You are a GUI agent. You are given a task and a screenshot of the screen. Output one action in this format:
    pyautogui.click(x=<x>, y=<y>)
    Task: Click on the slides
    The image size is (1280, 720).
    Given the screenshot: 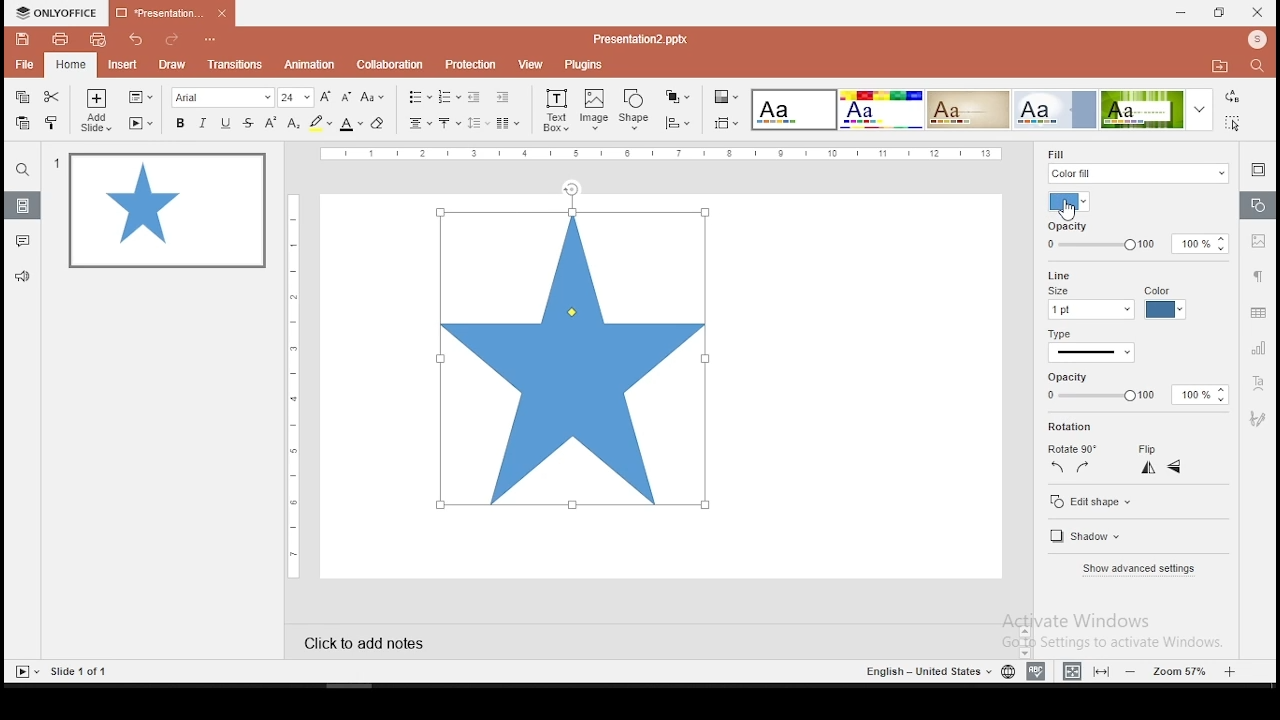 What is the action you would take?
    pyautogui.click(x=21, y=205)
    